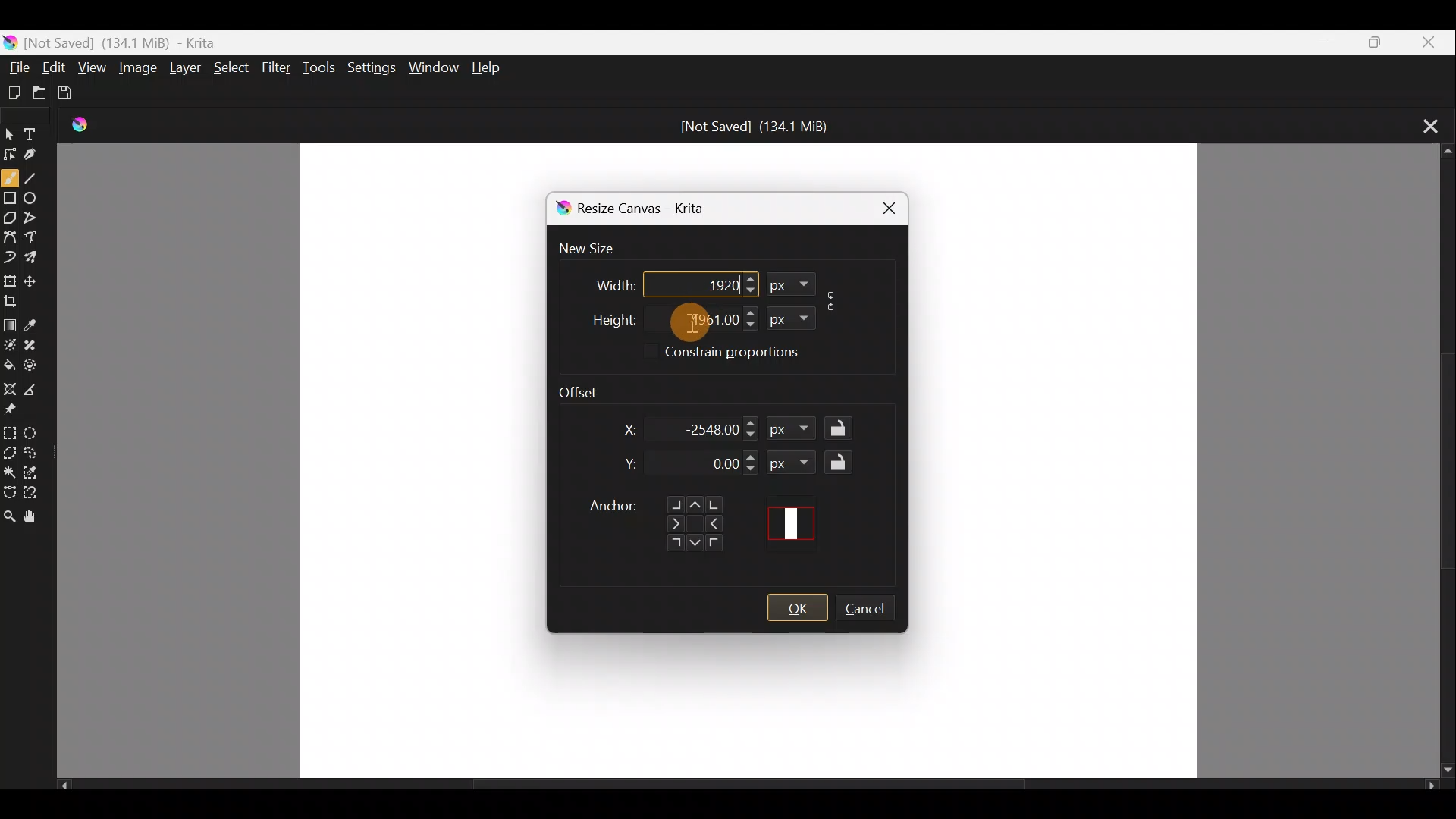 This screenshot has width=1456, height=819. What do you see at coordinates (12, 342) in the screenshot?
I see `Colourise mask tool` at bounding box center [12, 342].